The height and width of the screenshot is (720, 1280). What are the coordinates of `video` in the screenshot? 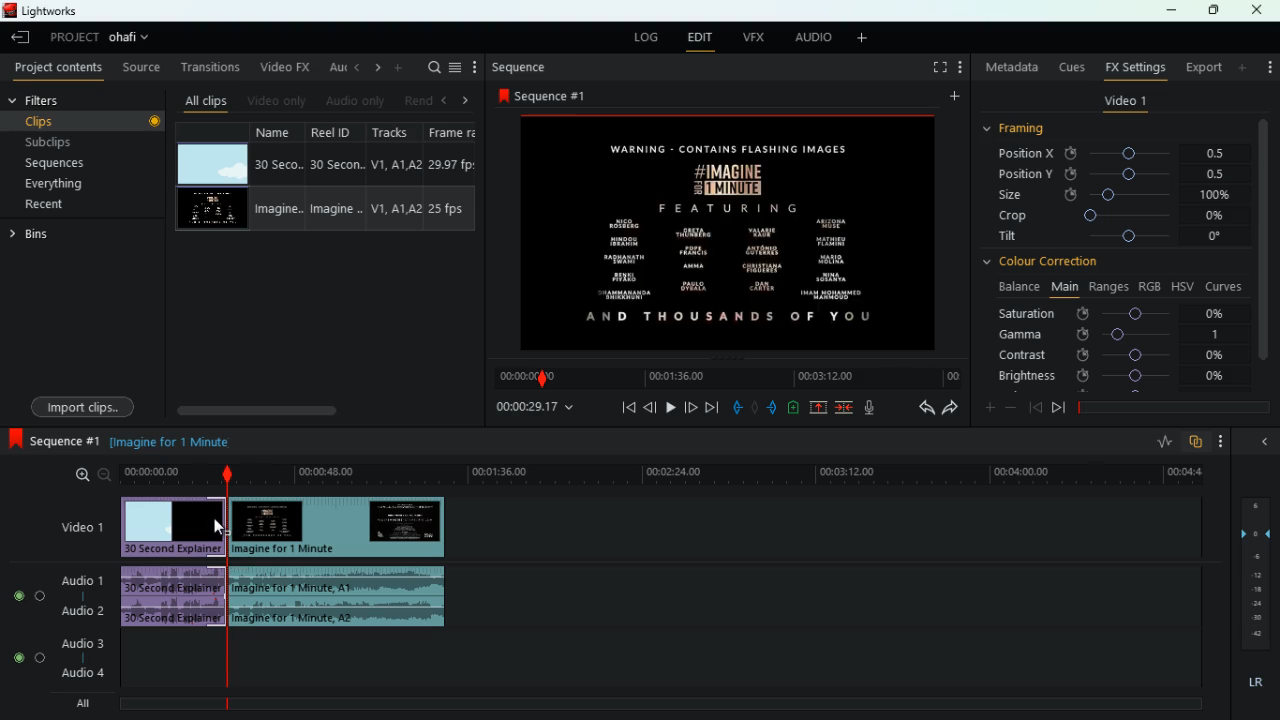 It's located at (338, 527).